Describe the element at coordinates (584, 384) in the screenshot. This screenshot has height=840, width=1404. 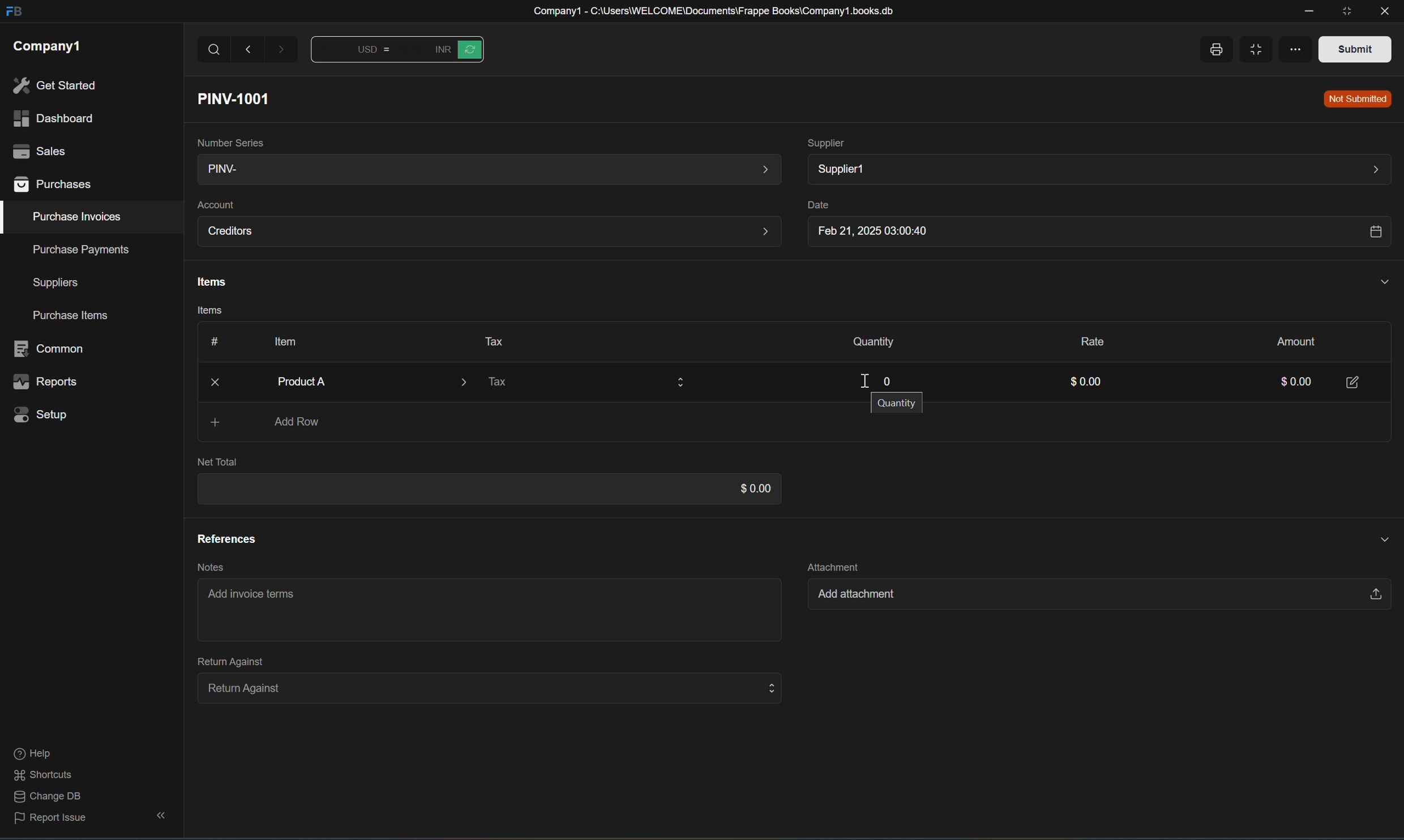
I see `Tax` at that location.